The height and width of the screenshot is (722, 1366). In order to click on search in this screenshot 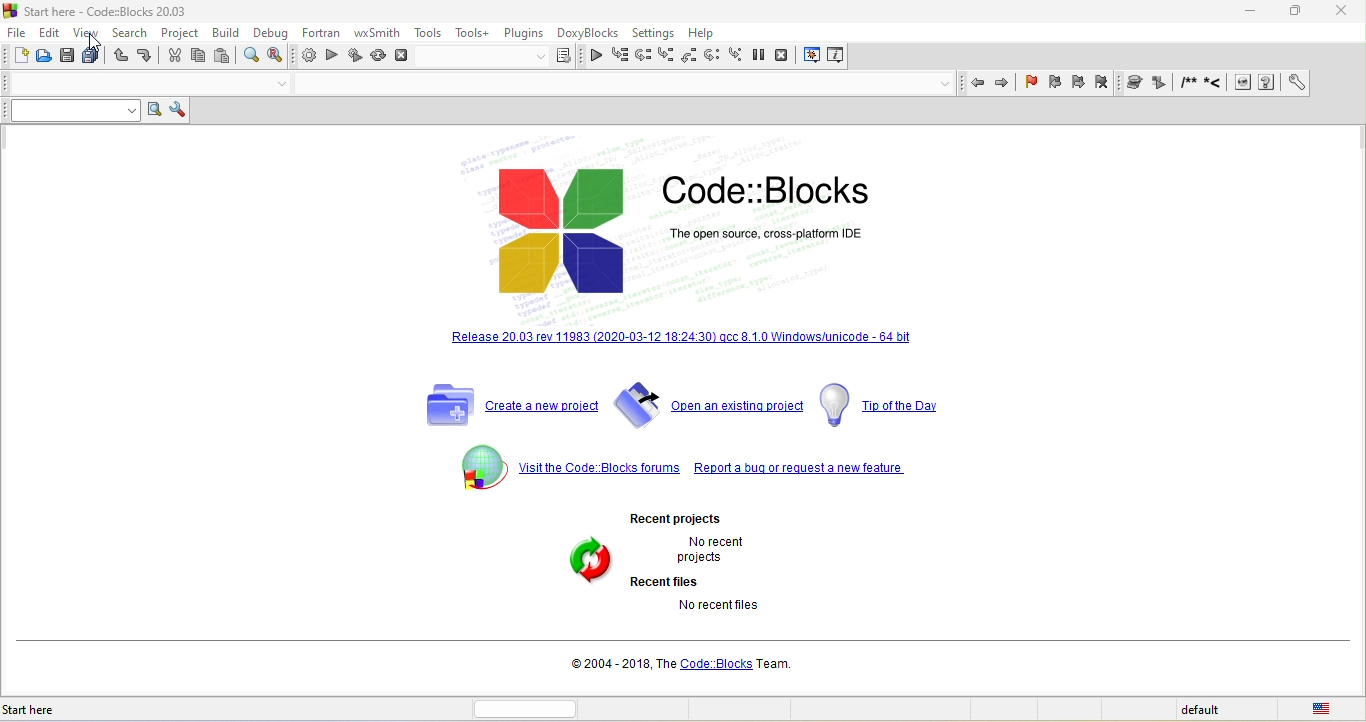, I will do `click(128, 33)`.